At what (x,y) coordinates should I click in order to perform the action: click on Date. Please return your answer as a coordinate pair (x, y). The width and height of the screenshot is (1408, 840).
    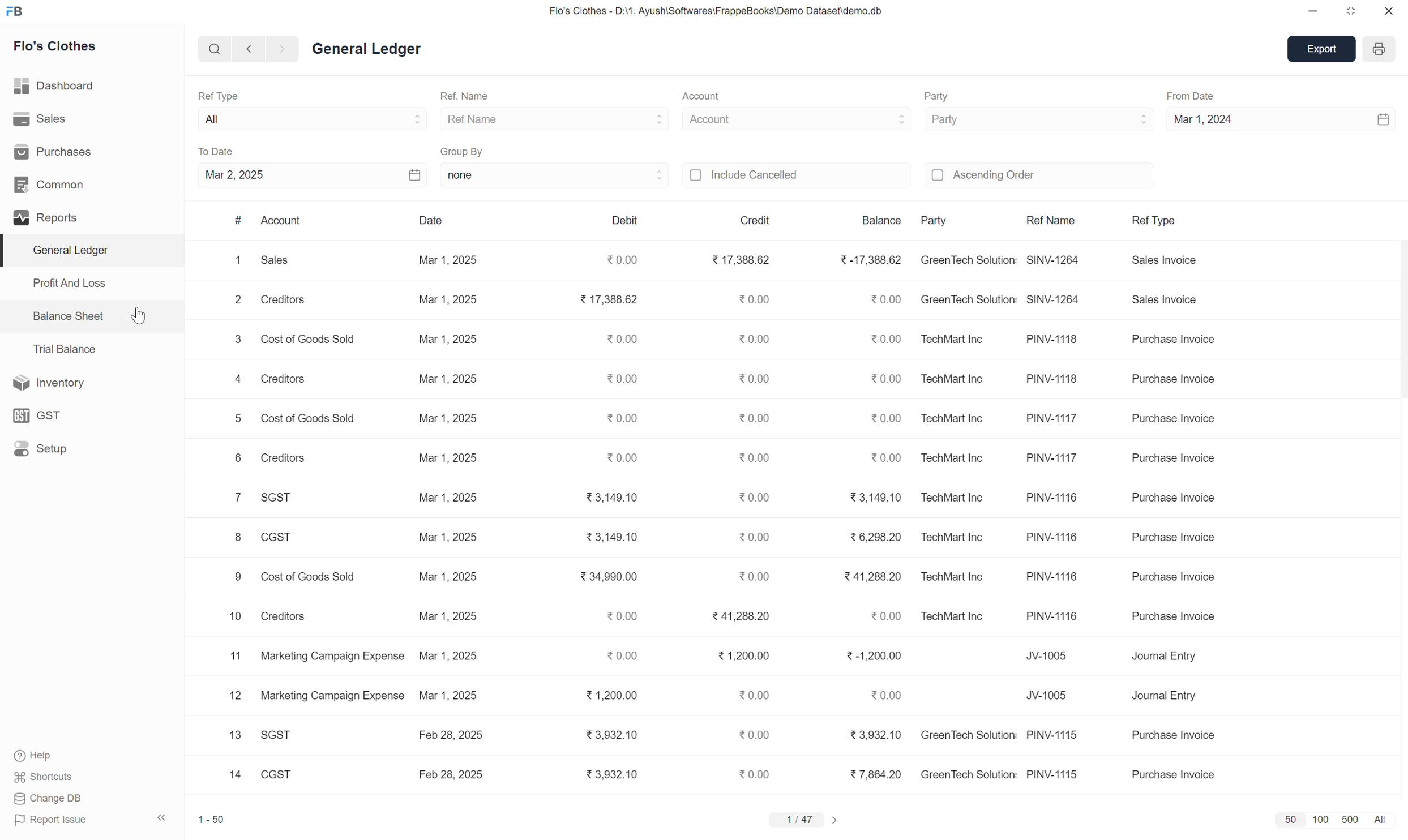
    Looking at the image, I should click on (434, 220).